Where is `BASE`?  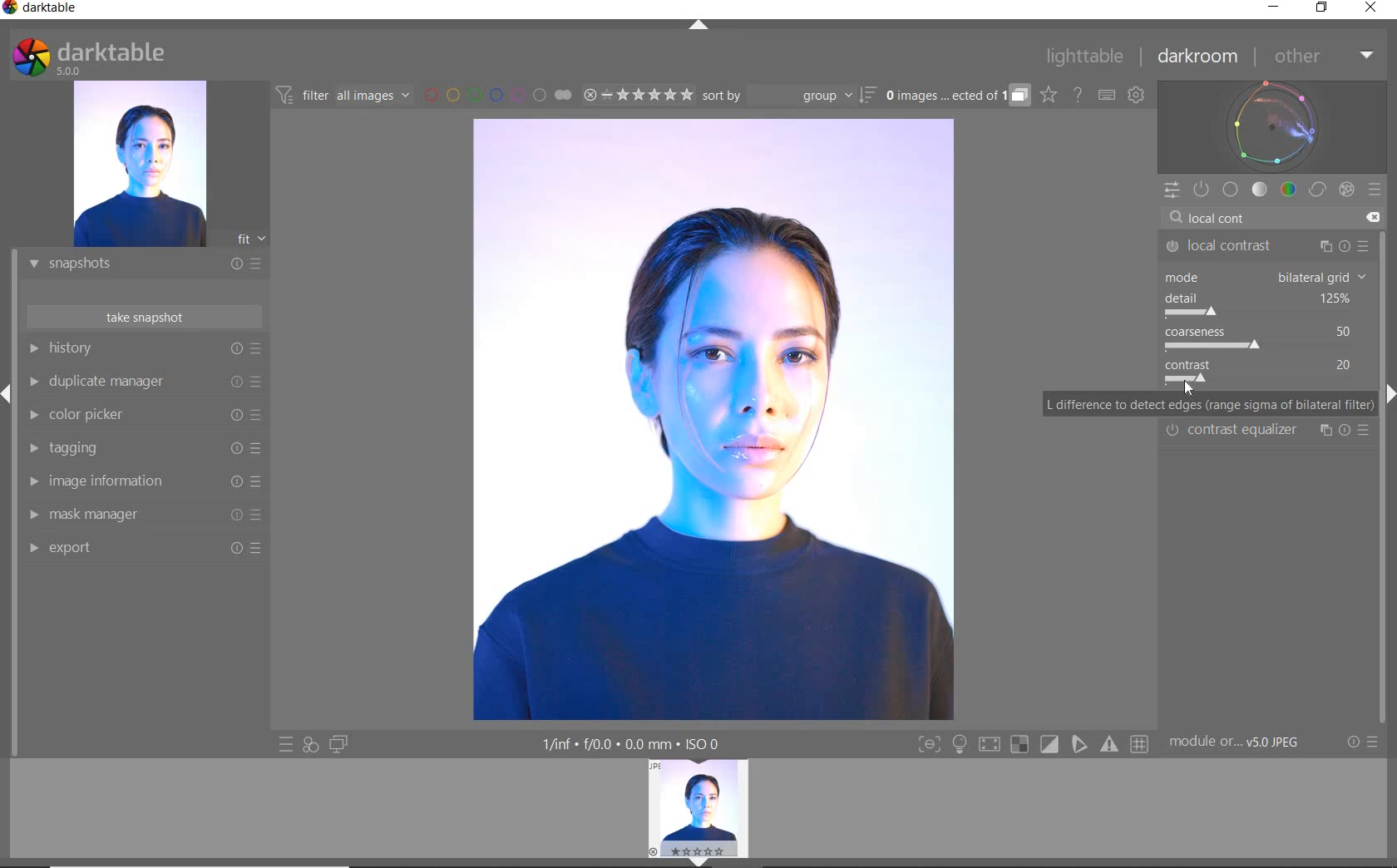 BASE is located at coordinates (1231, 190).